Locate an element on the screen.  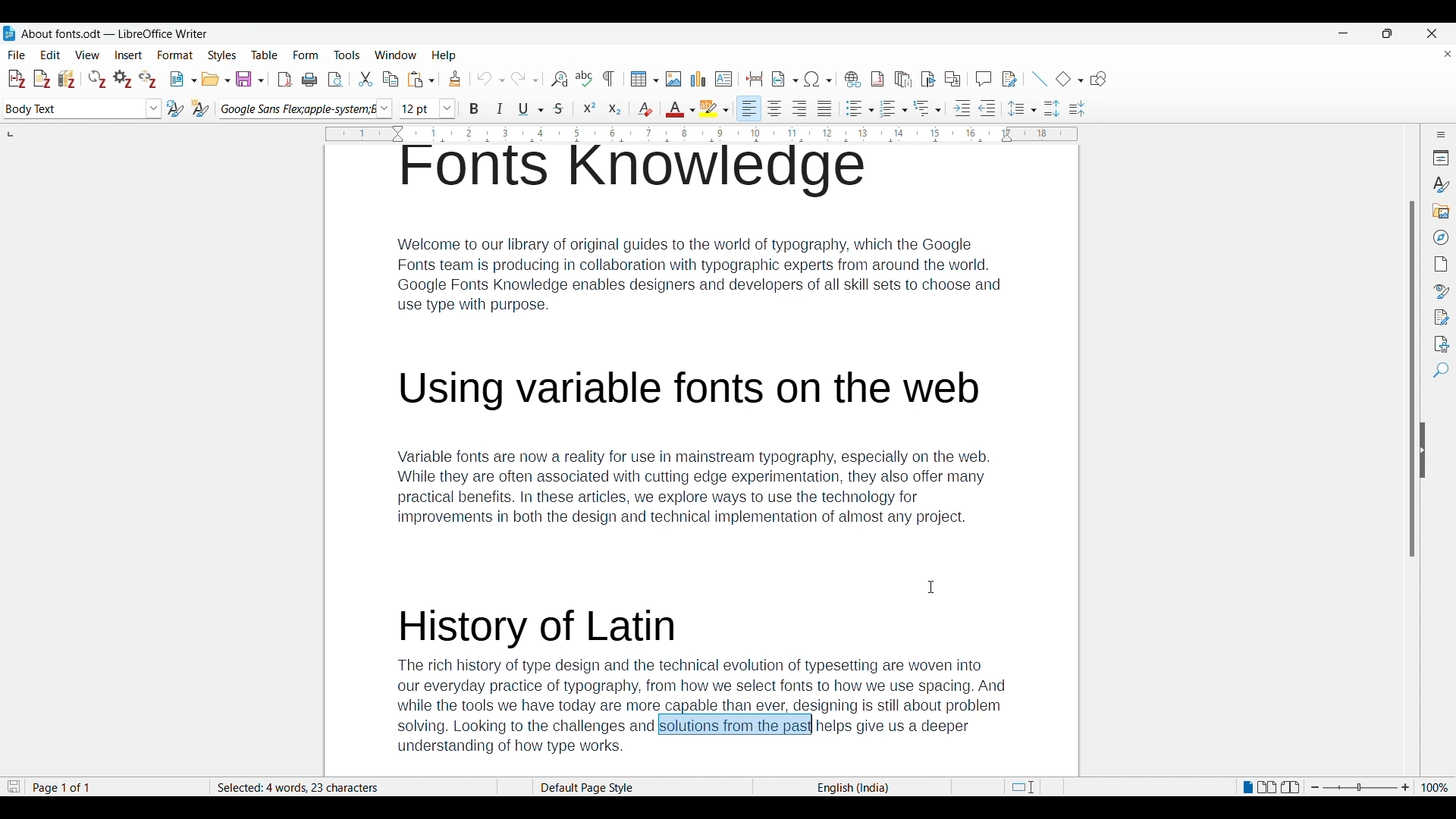
Check spelling is located at coordinates (584, 78).